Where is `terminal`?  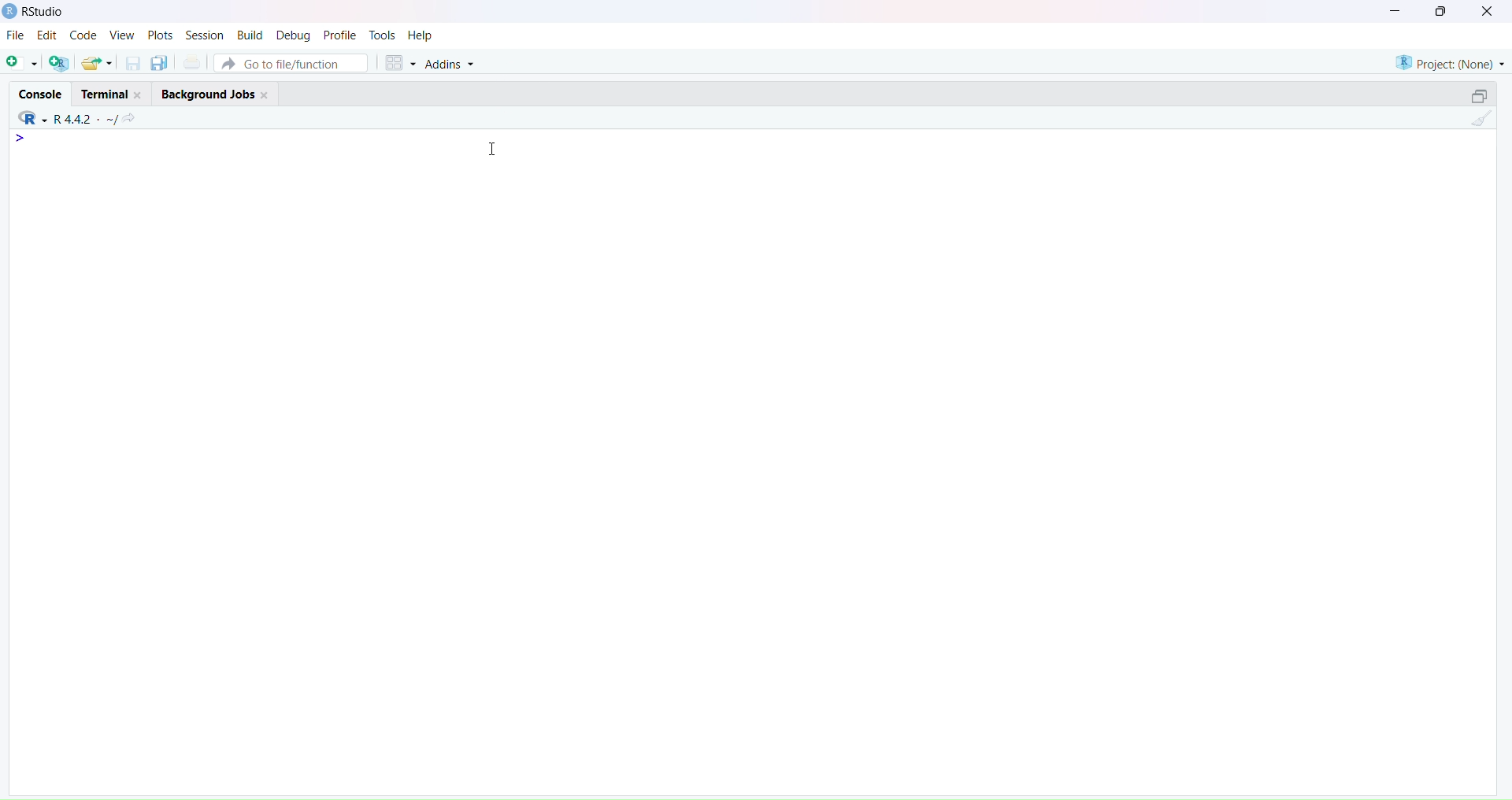 terminal is located at coordinates (111, 93).